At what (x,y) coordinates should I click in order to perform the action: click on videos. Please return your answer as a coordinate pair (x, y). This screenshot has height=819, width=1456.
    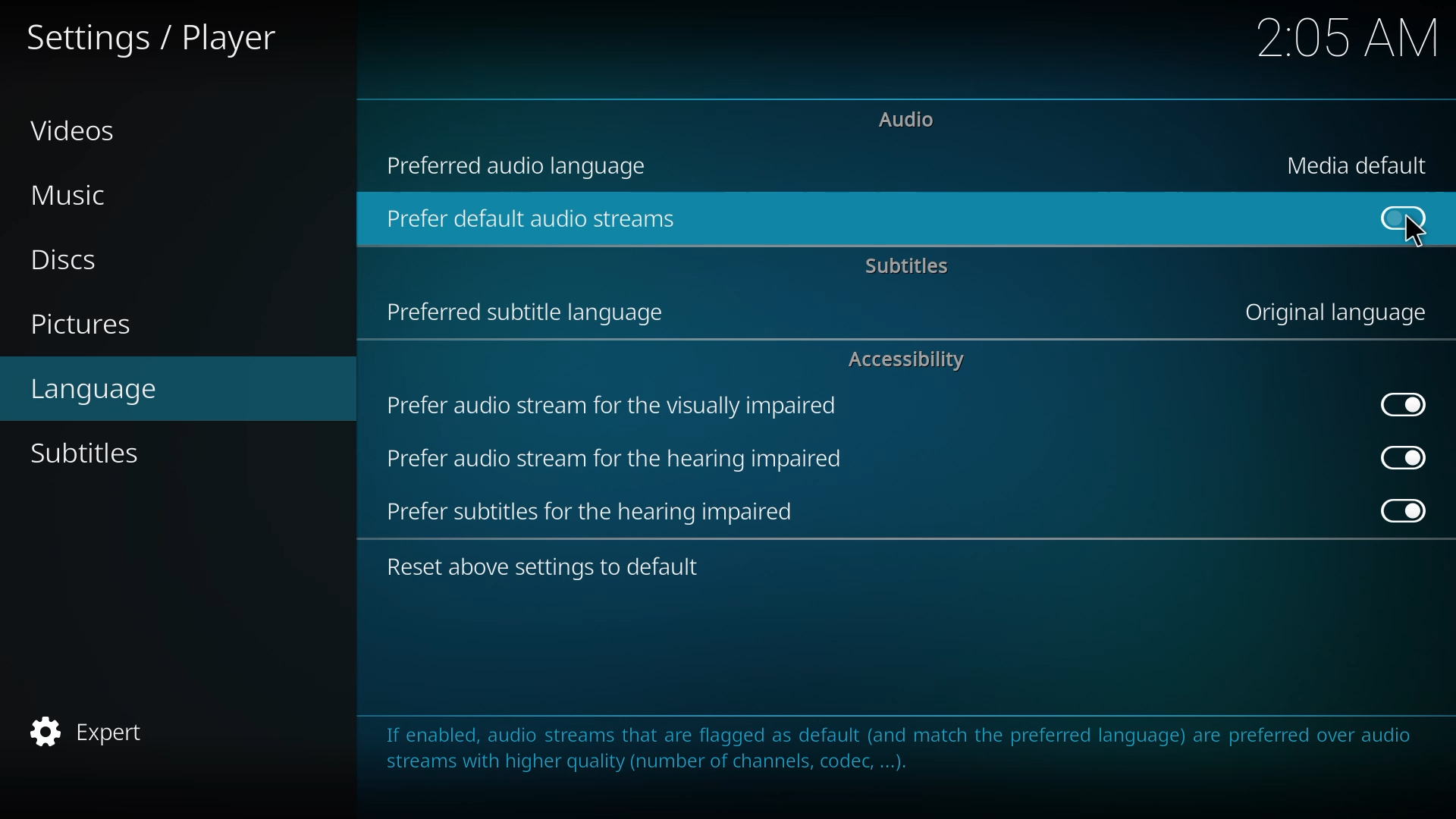
    Looking at the image, I should click on (79, 129).